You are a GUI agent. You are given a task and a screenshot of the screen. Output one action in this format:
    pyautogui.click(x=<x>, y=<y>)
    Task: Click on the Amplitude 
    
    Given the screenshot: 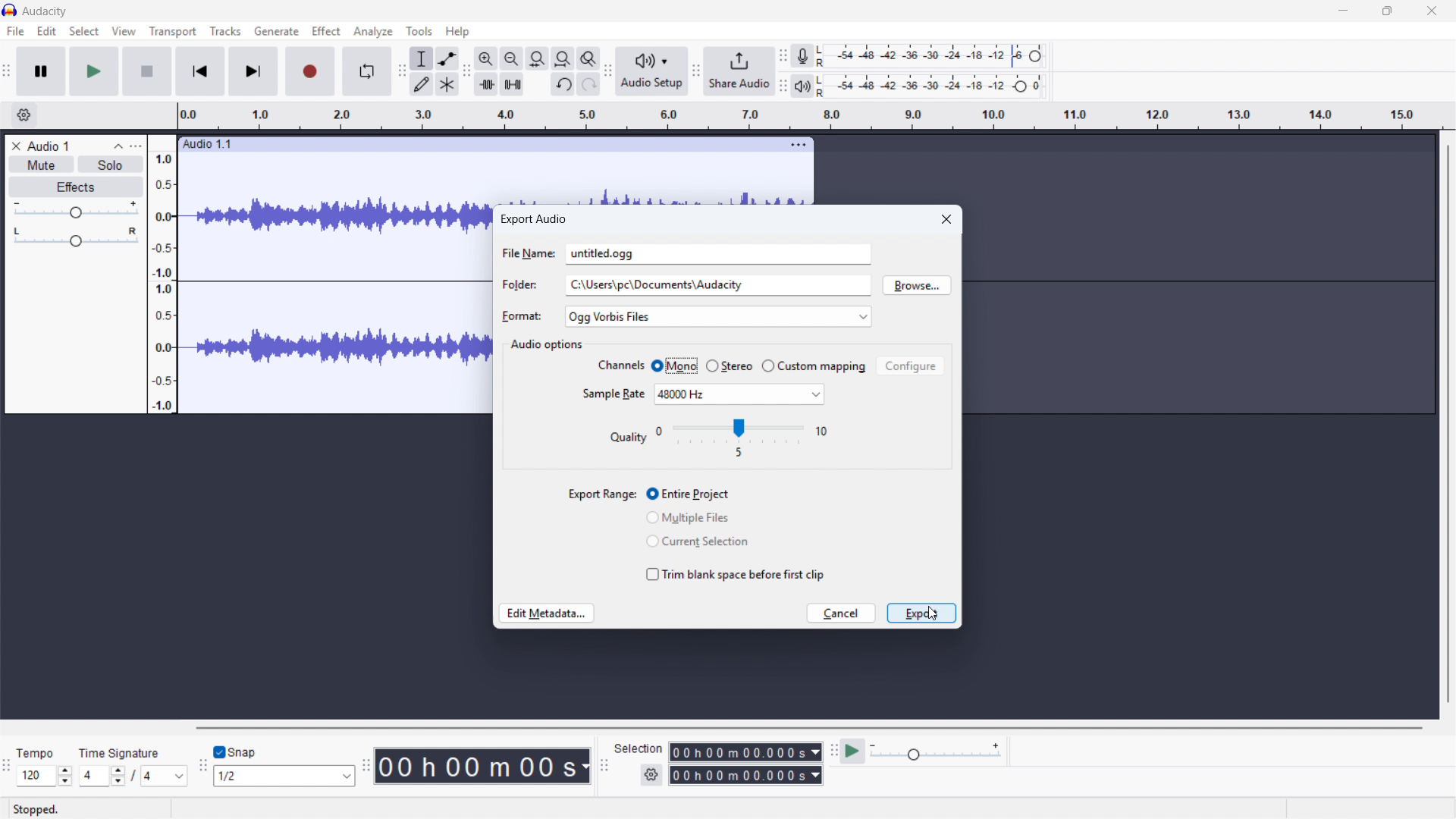 What is the action you would take?
    pyautogui.click(x=162, y=274)
    